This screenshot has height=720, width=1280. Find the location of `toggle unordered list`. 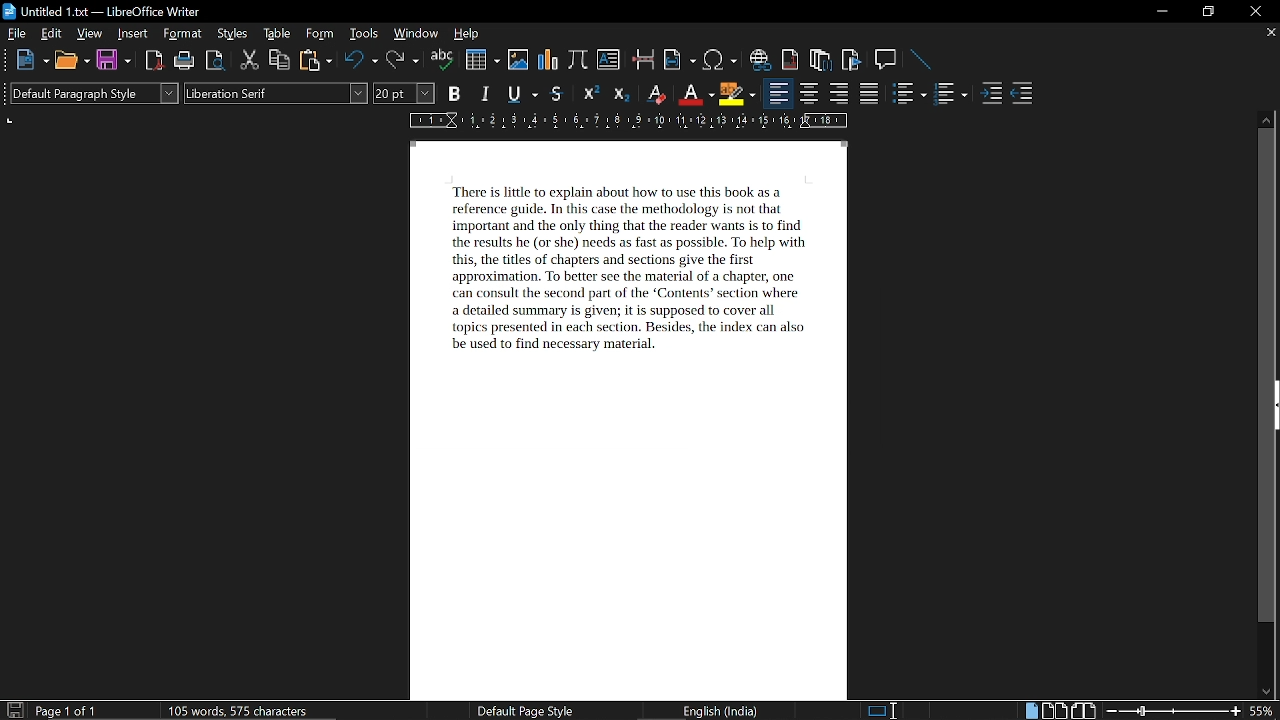

toggle unordered list is located at coordinates (950, 94).